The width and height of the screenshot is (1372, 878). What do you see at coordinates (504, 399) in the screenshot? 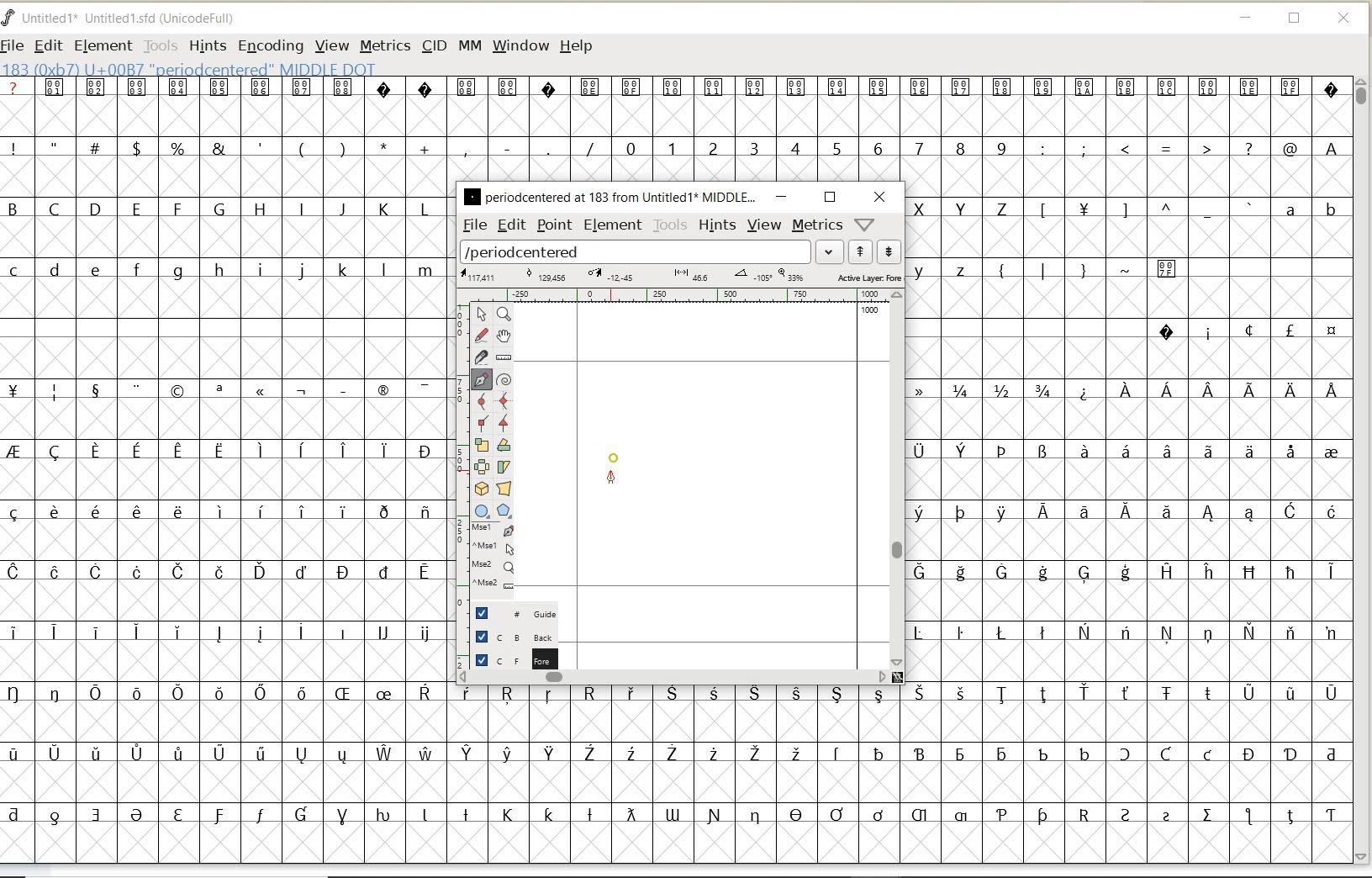
I see `add a curve point always either horizontal or vertical` at bounding box center [504, 399].